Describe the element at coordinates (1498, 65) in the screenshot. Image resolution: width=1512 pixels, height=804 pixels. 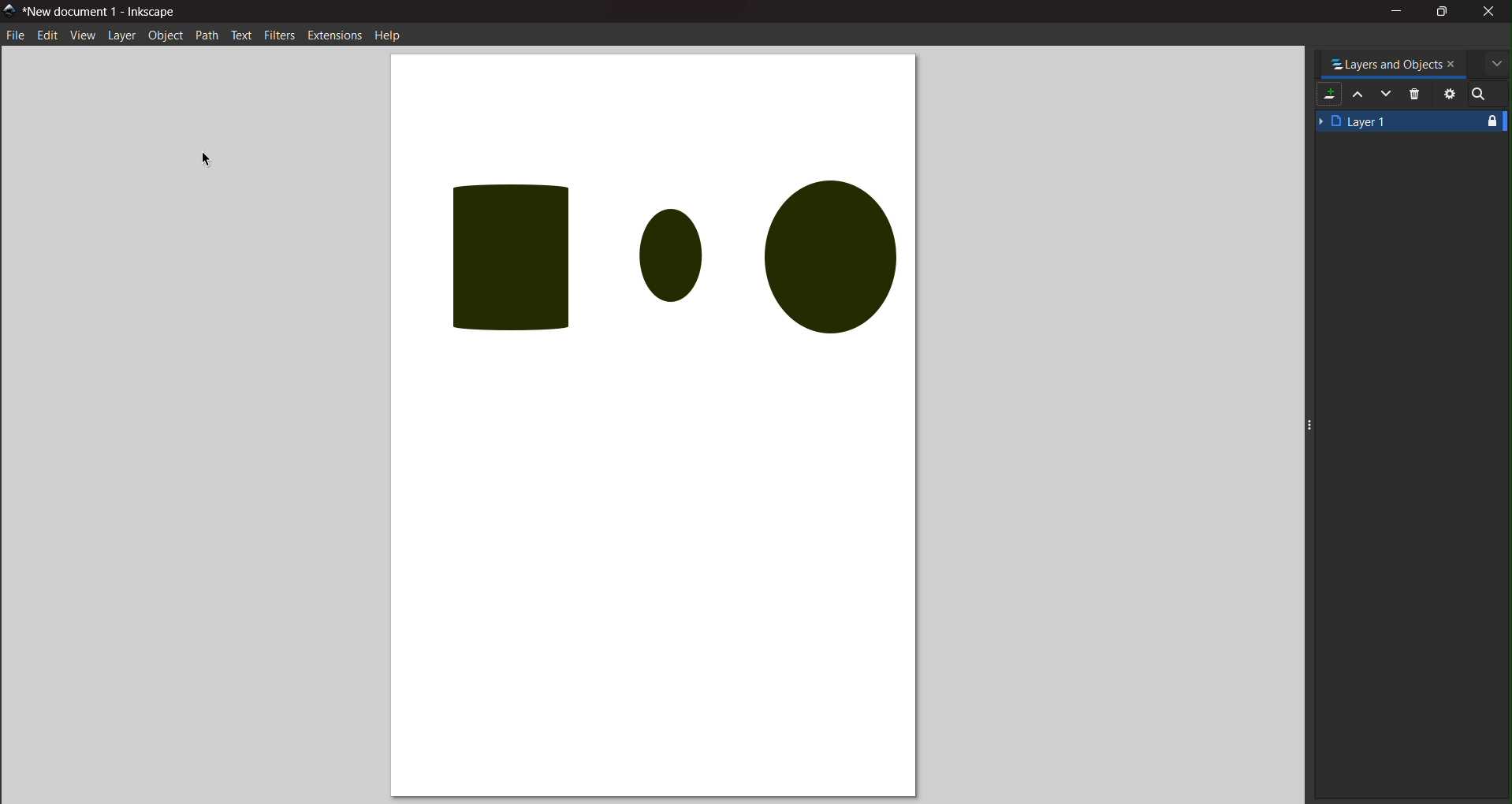
I see `more` at that location.